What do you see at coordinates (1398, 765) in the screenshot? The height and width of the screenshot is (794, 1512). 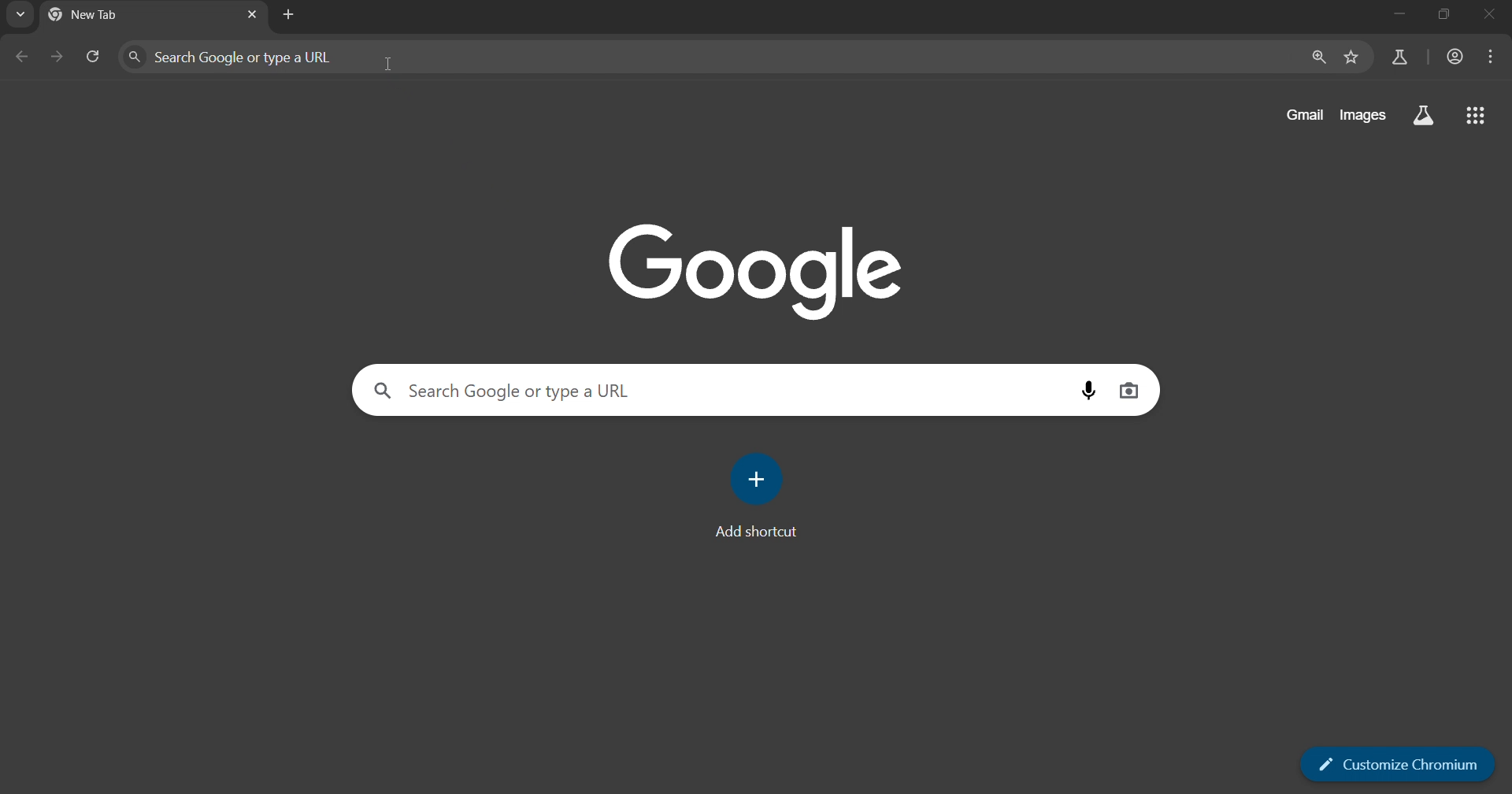 I see `customize chromium` at bounding box center [1398, 765].